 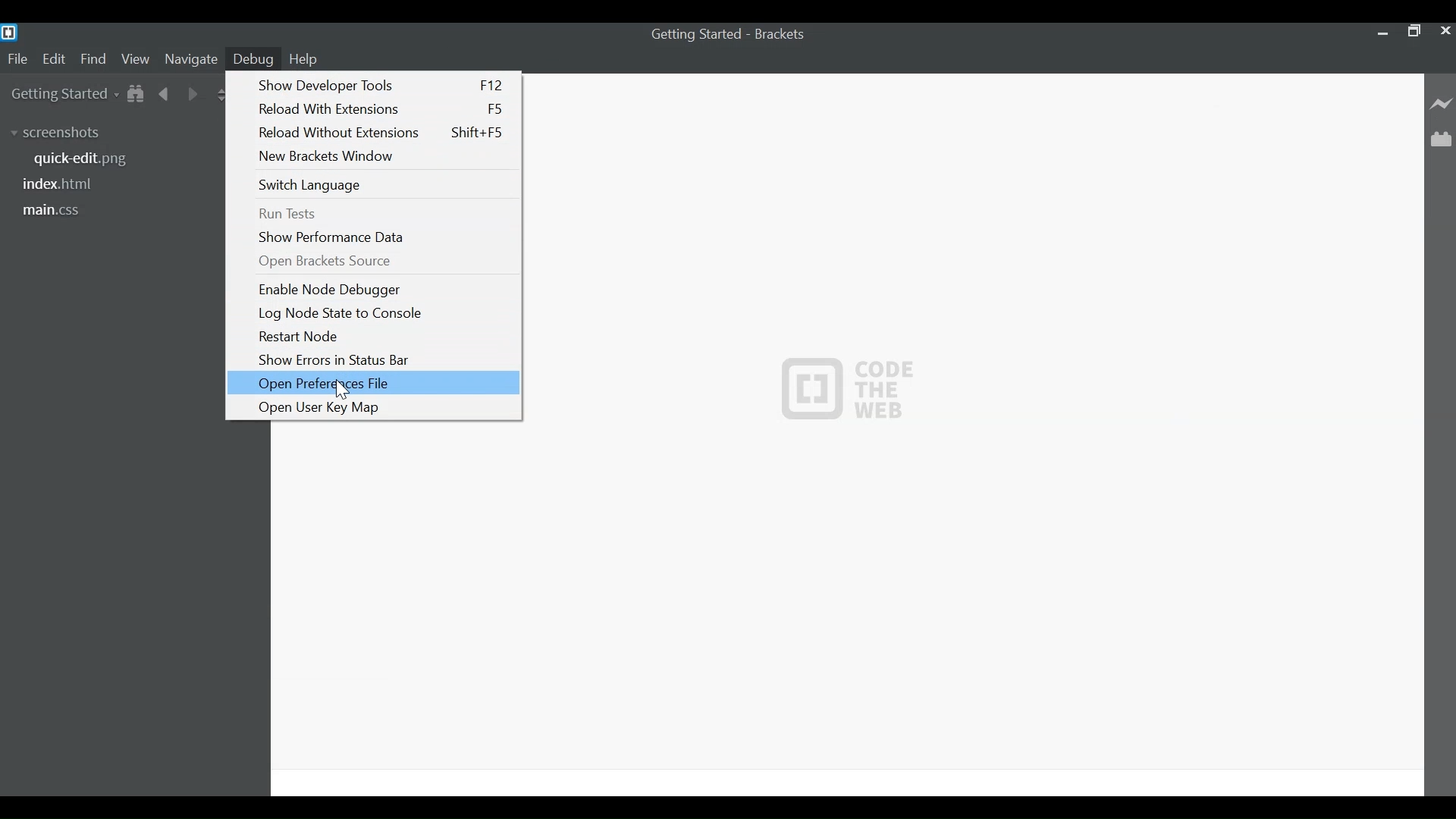 What do you see at coordinates (377, 290) in the screenshot?
I see `Enable Node Debugger` at bounding box center [377, 290].